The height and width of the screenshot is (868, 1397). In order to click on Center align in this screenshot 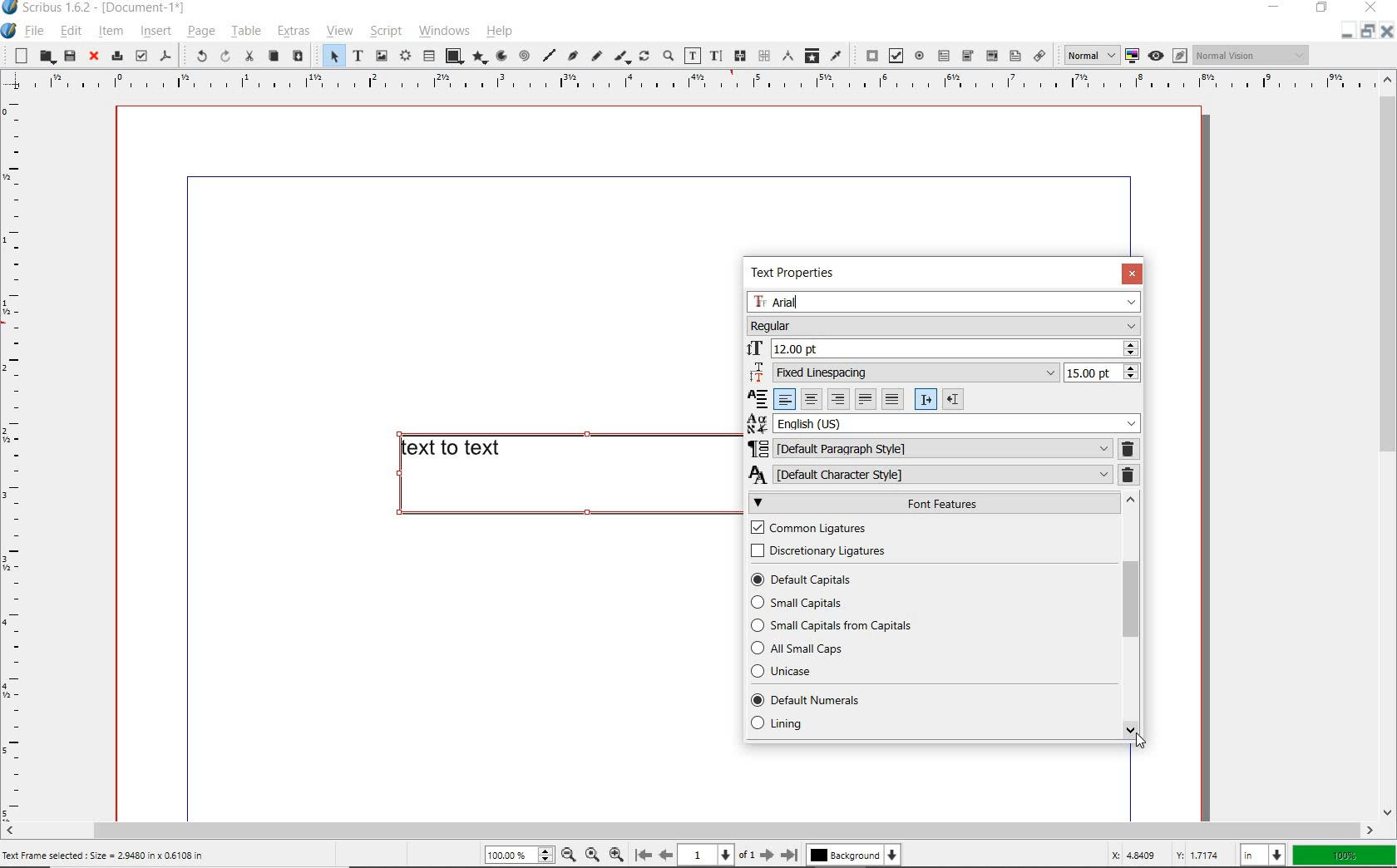, I will do `click(811, 399)`.